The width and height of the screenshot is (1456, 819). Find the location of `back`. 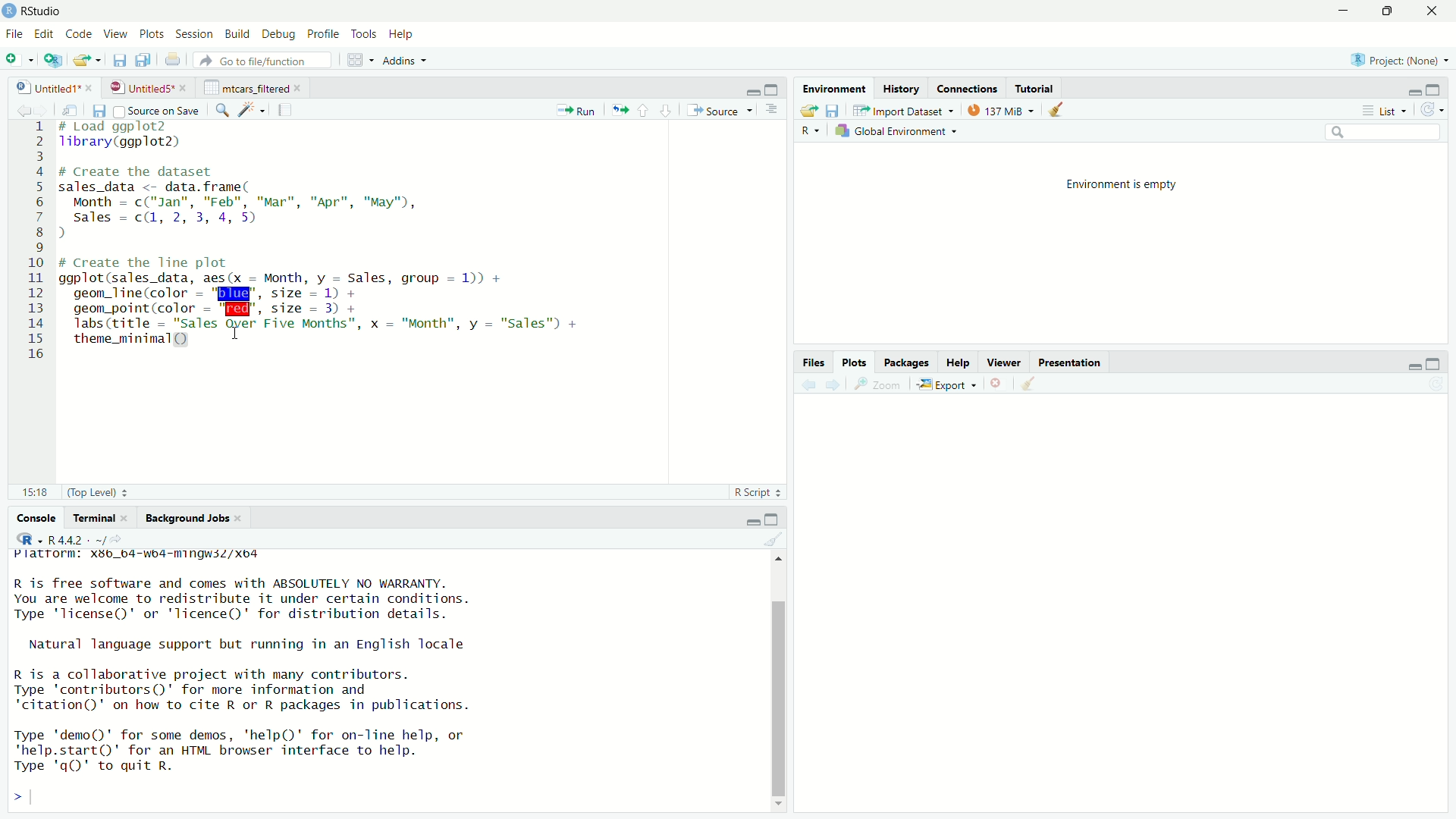

back is located at coordinates (811, 385).